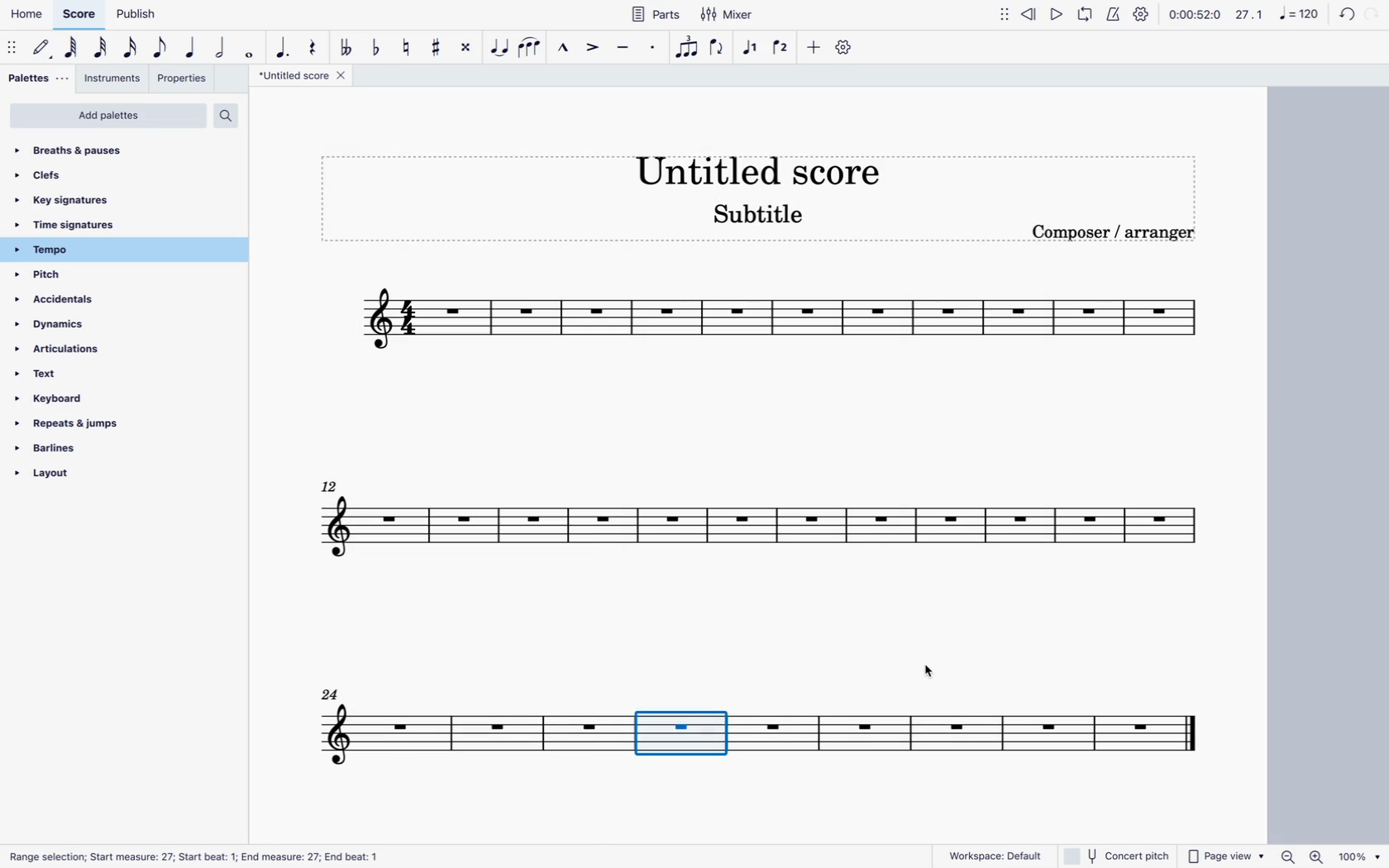 The height and width of the screenshot is (868, 1389). Describe the element at coordinates (464, 47) in the screenshot. I see `toggle double sharp` at that location.